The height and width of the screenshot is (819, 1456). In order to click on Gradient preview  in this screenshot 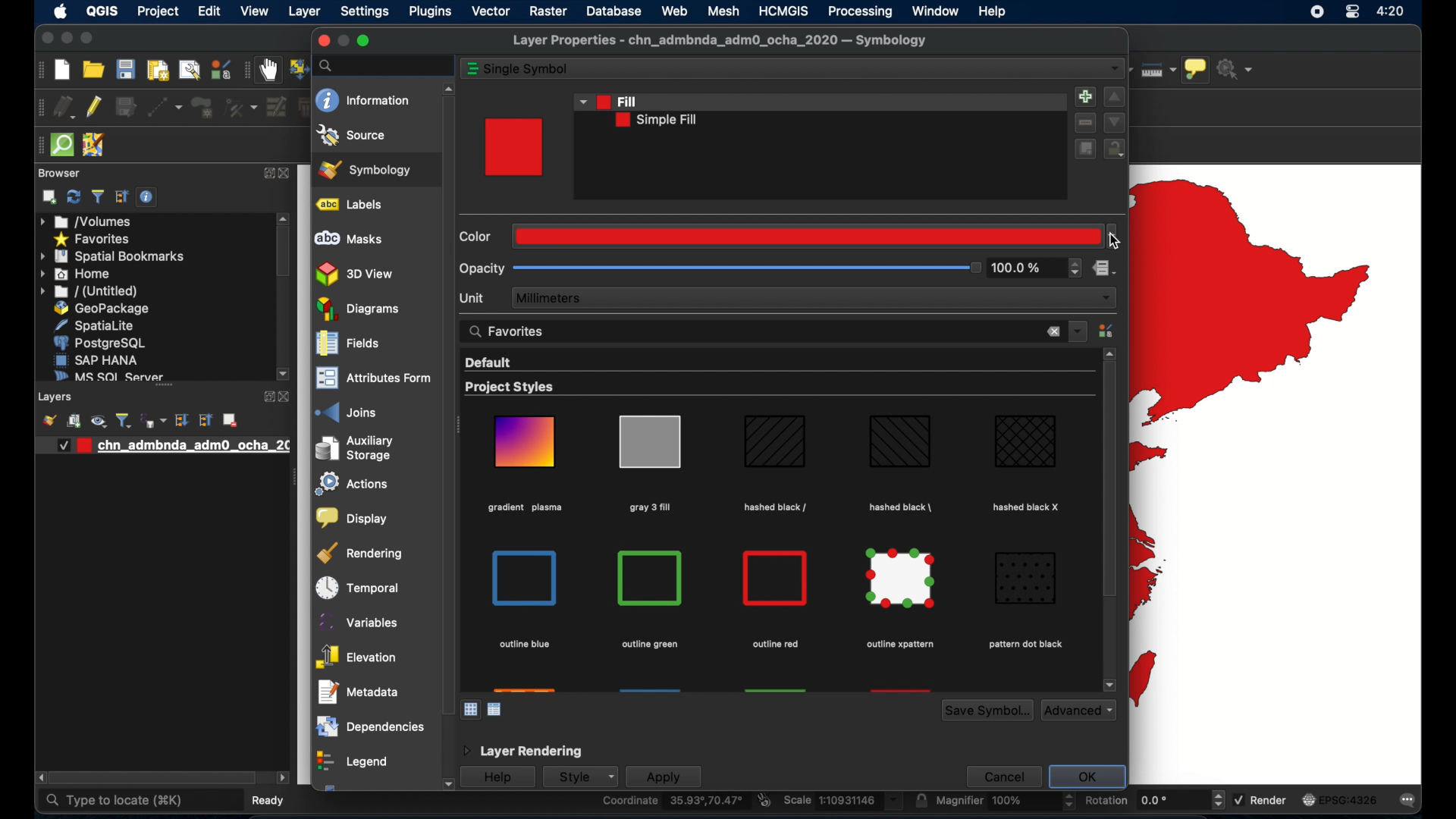, I will do `click(902, 579)`.